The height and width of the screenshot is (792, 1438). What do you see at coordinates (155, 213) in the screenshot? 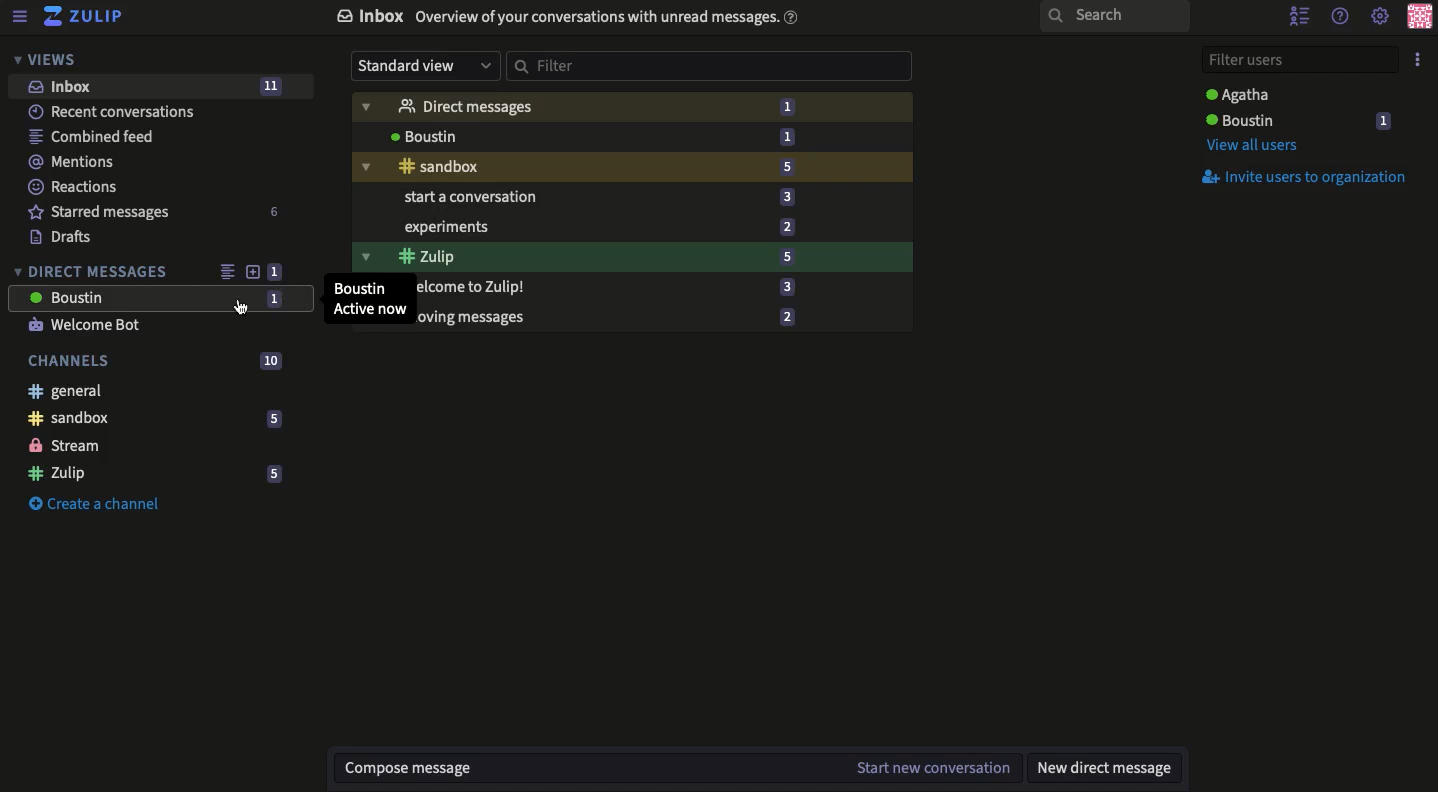
I see `Starred messages` at bounding box center [155, 213].